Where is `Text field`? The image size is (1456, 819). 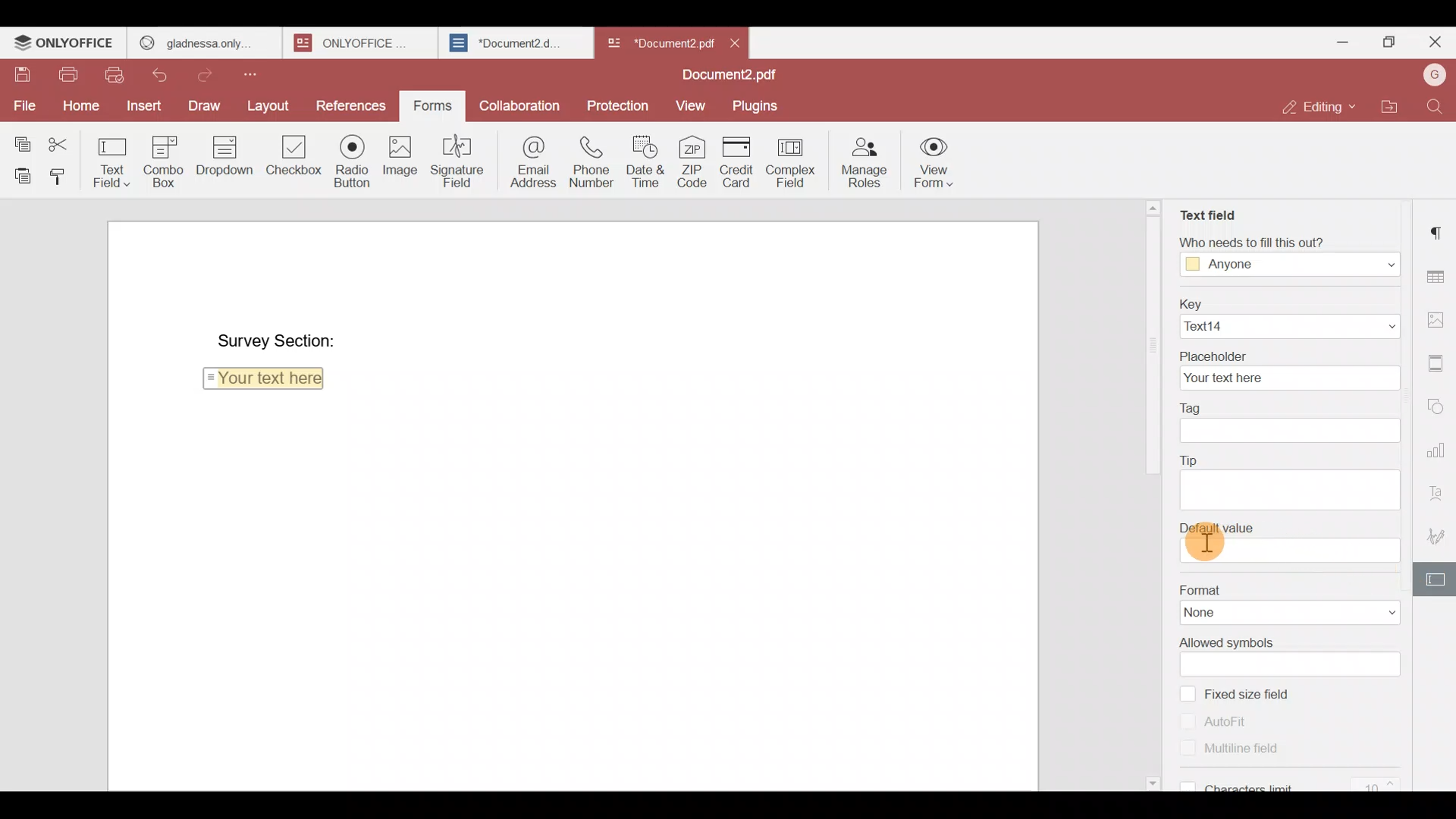 Text field is located at coordinates (112, 158).